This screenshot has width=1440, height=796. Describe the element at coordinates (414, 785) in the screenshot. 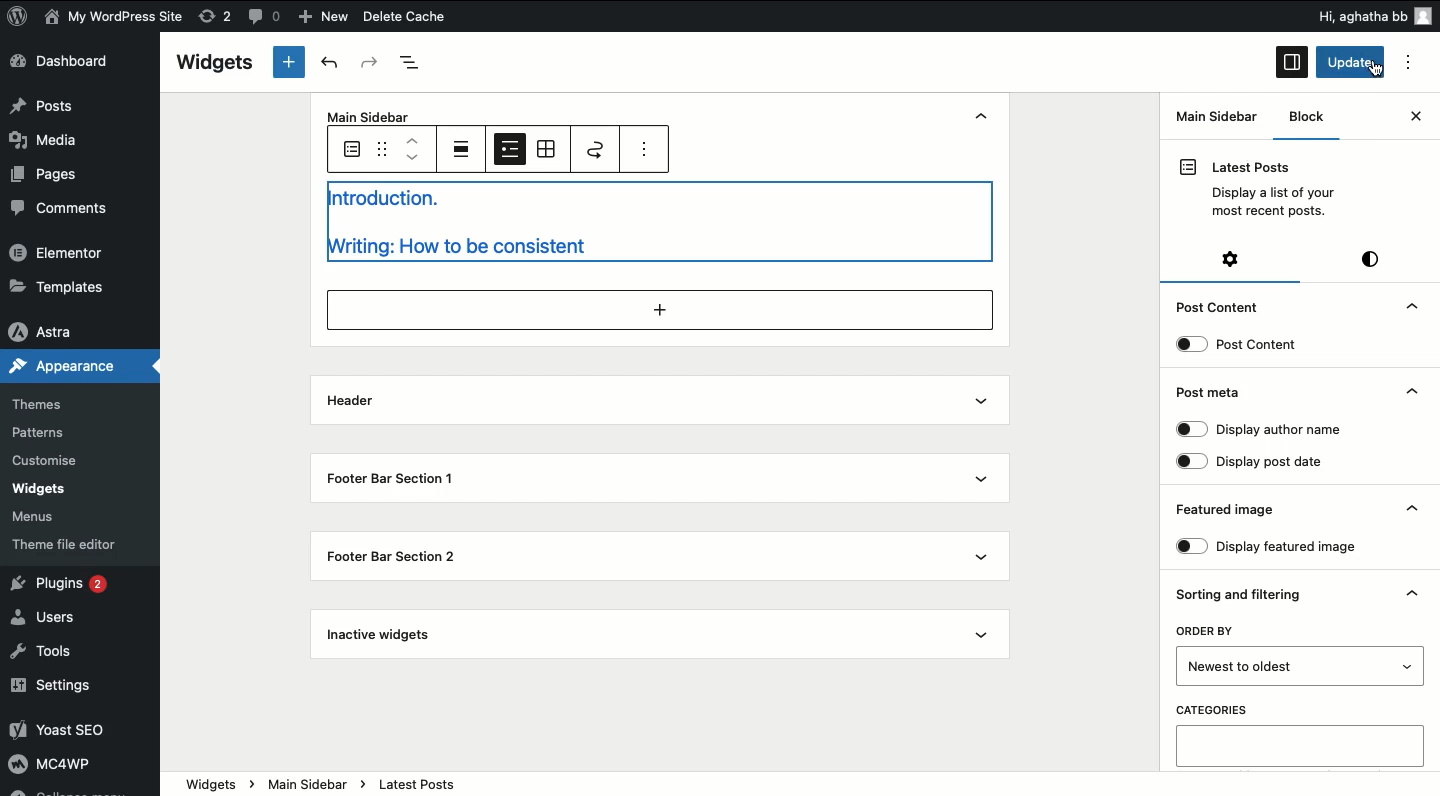

I see `latest post` at that location.